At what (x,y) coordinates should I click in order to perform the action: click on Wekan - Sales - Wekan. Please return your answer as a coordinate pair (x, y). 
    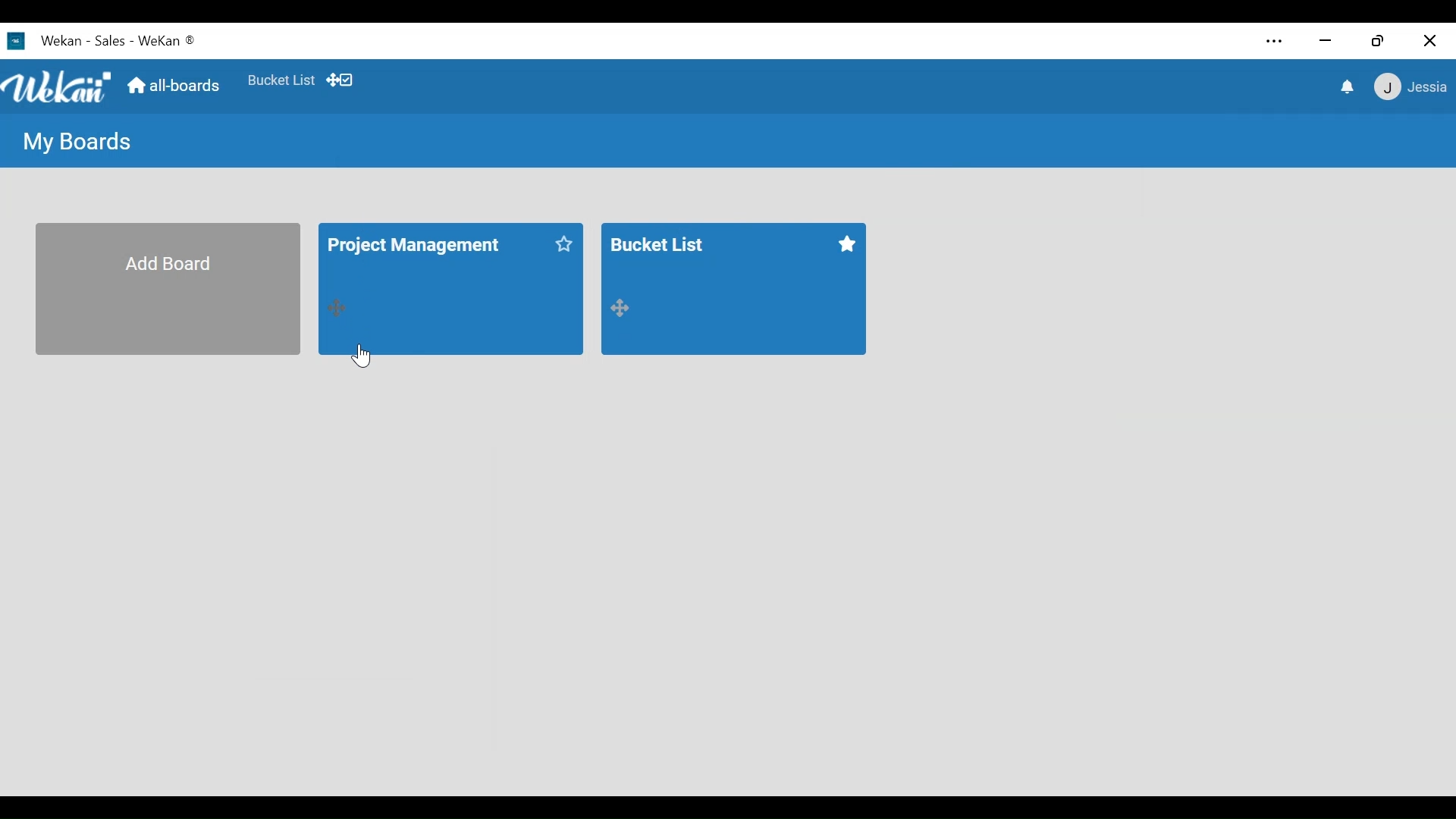
    Looking at the image, I should click on (121, 40).